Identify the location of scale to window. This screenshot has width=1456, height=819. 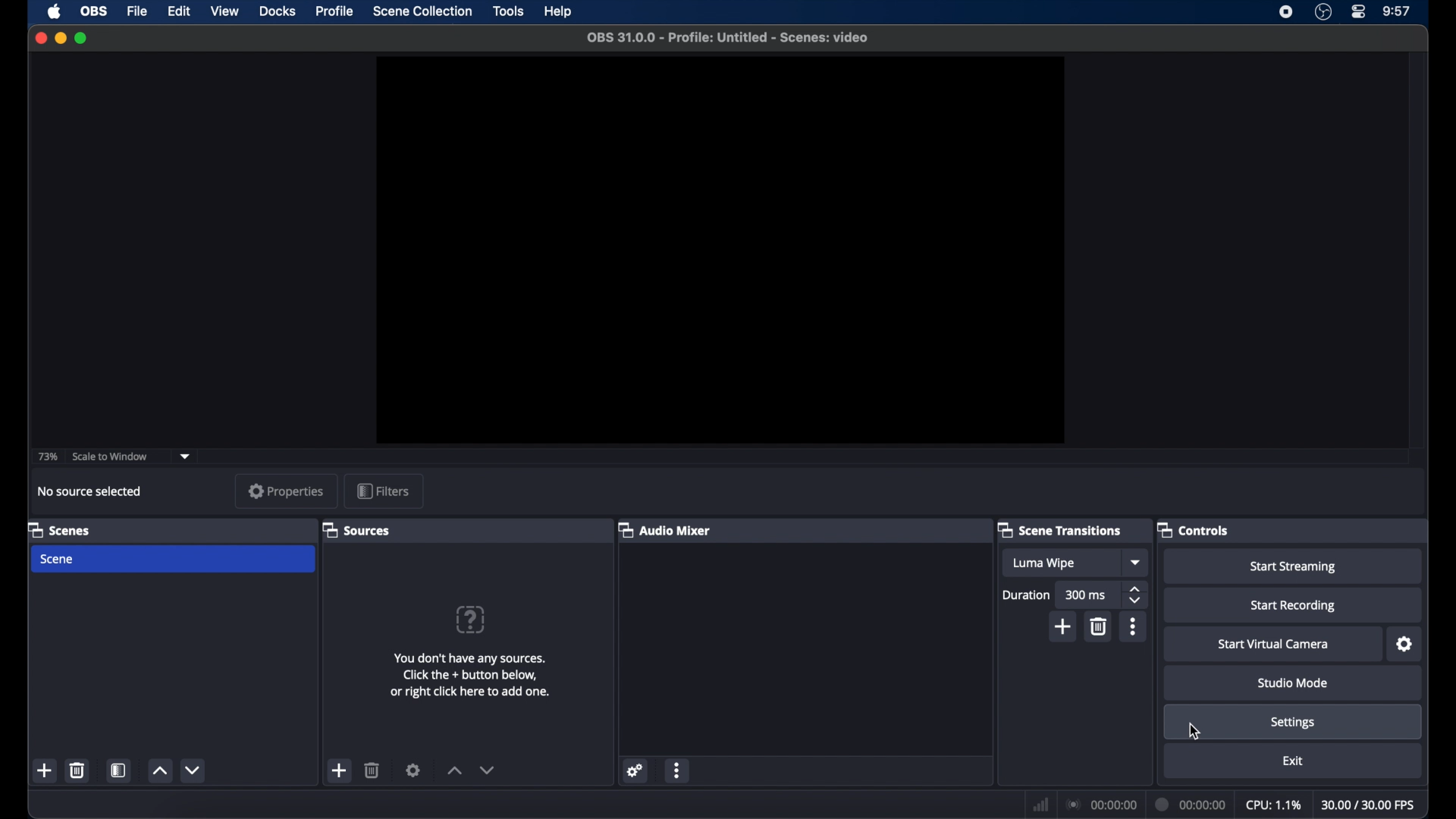
(109, 457).